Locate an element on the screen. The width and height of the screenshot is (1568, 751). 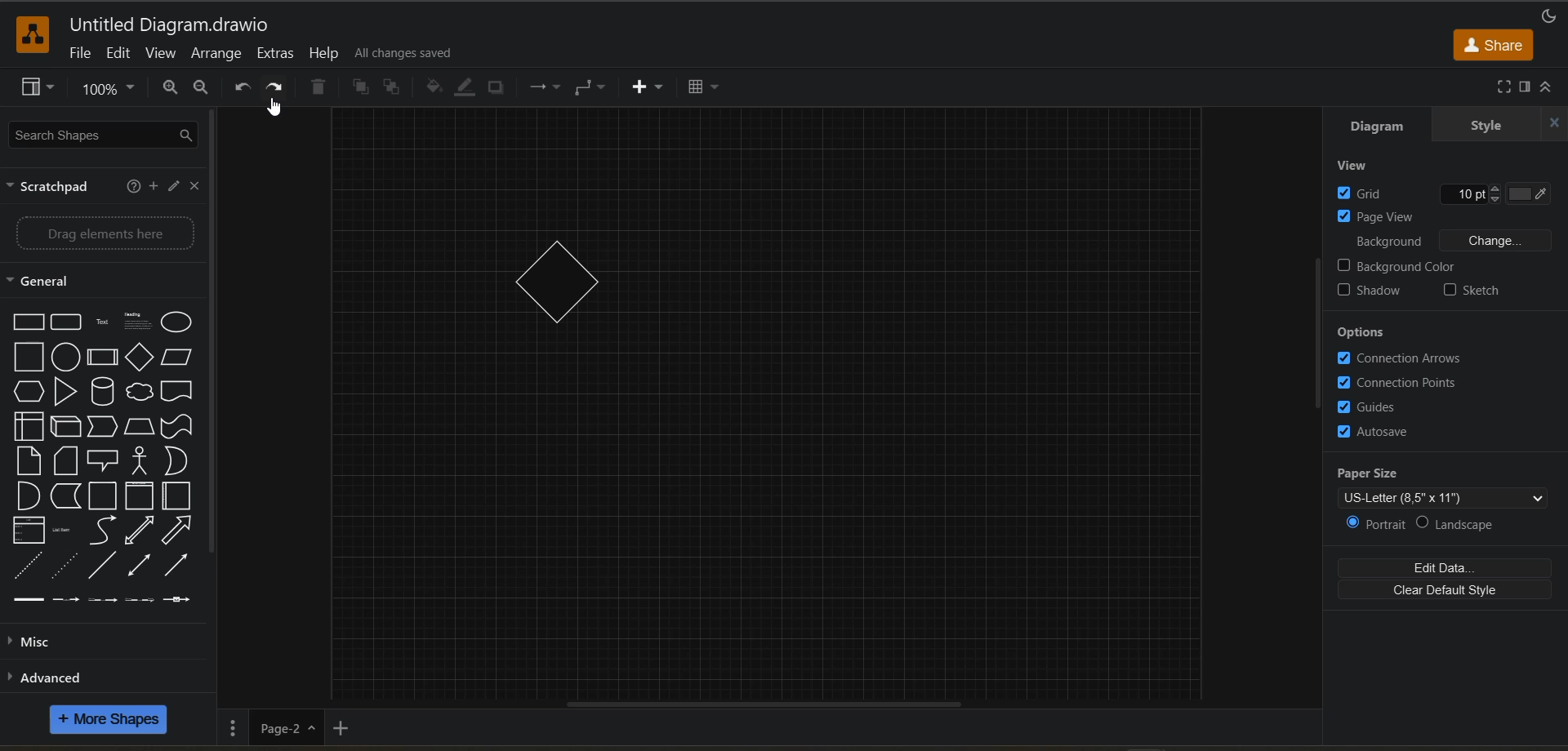
connections is located at coordinates (547, 88).